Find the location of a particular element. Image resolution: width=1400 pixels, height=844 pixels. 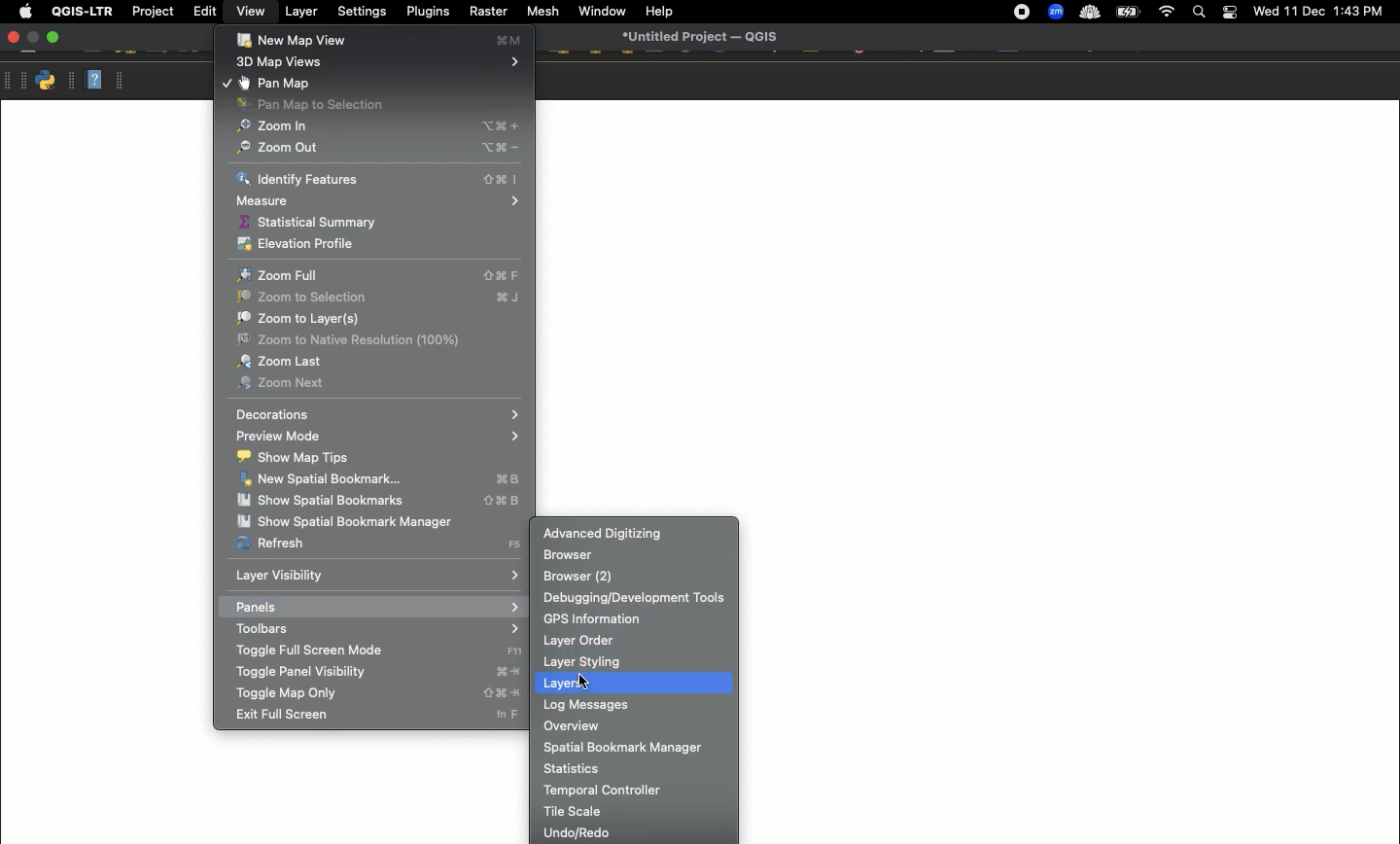

Statistics is located at coordinates (633, 766).